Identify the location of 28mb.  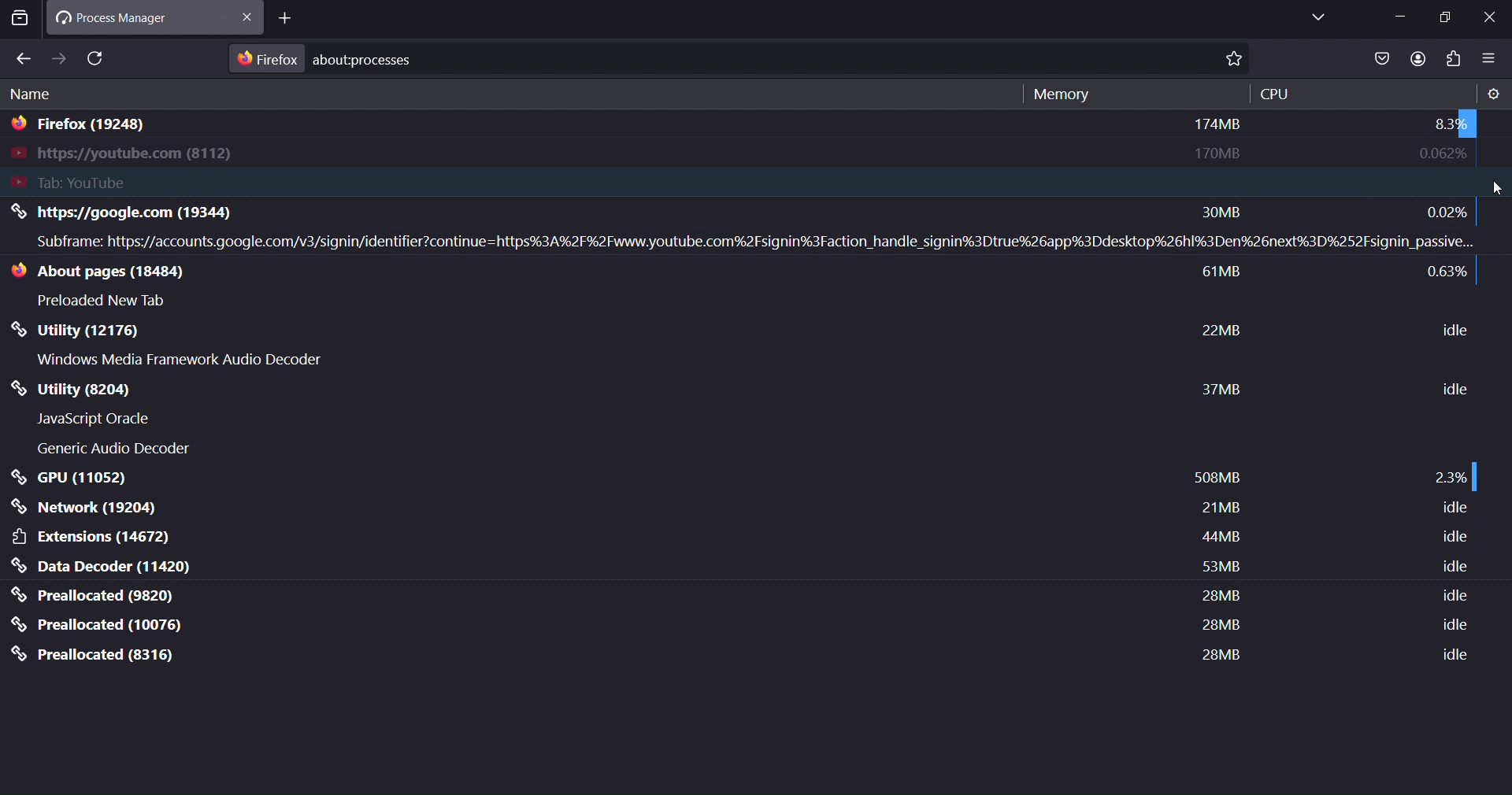
(1217, 625).